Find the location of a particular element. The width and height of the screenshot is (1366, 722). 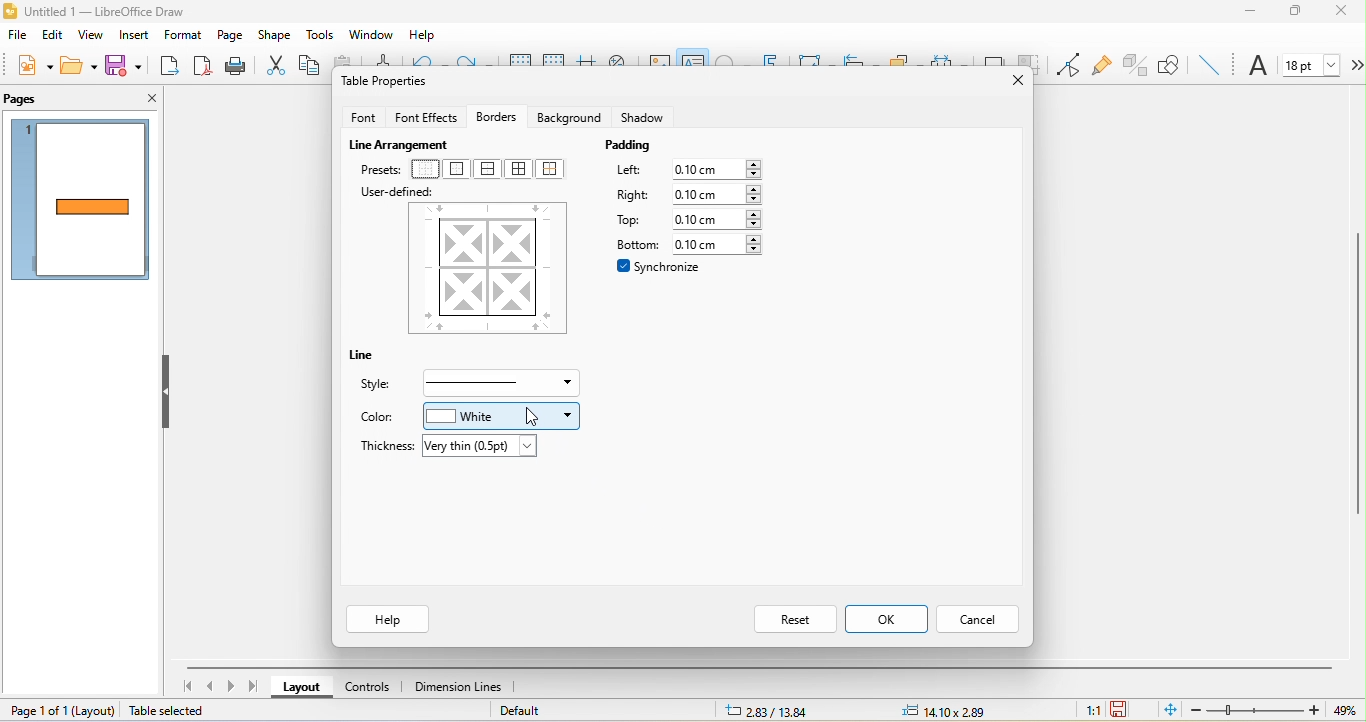

format is located at coordinates (185, 35).